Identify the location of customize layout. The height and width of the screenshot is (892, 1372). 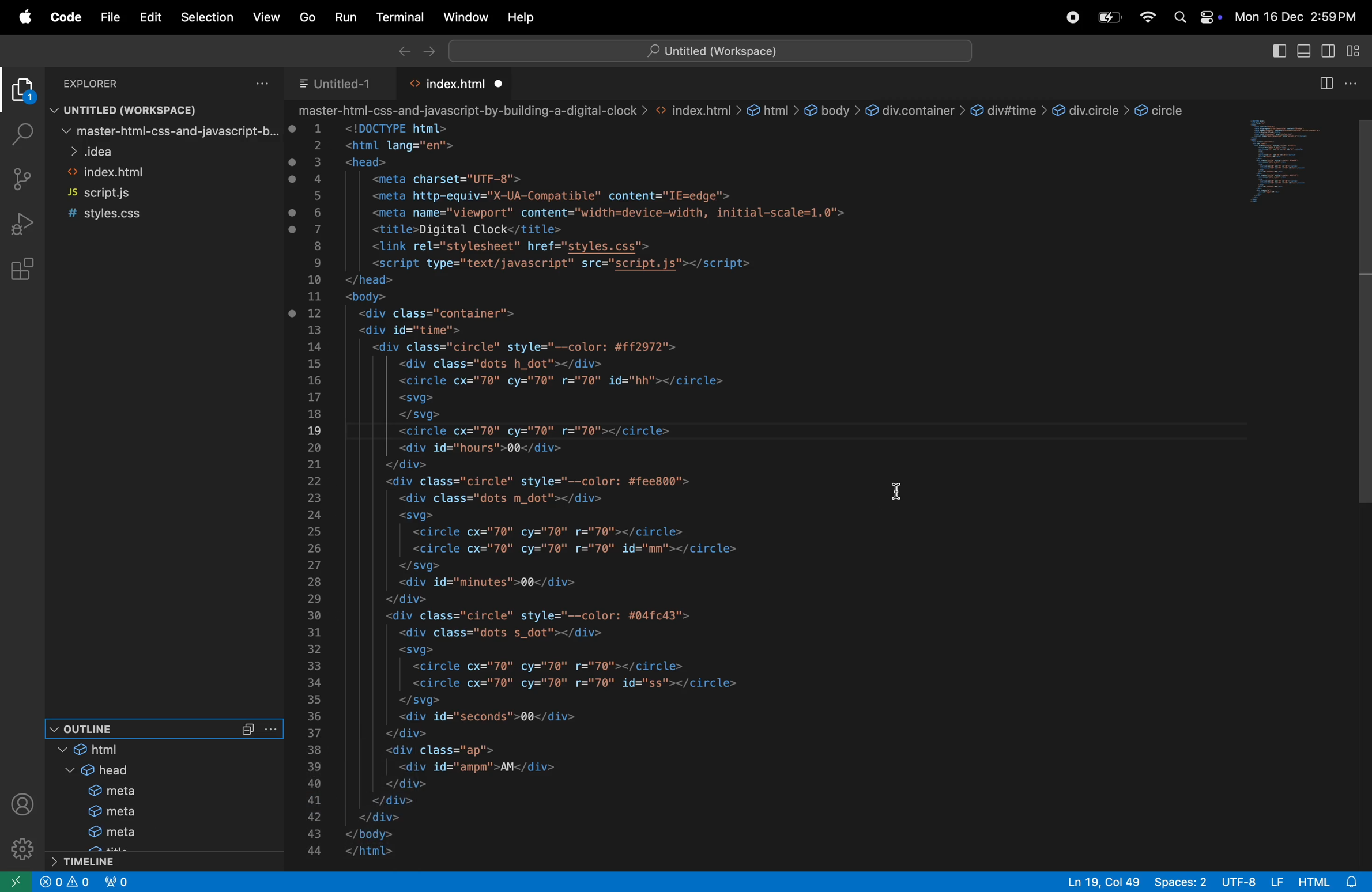
(1355, 50).